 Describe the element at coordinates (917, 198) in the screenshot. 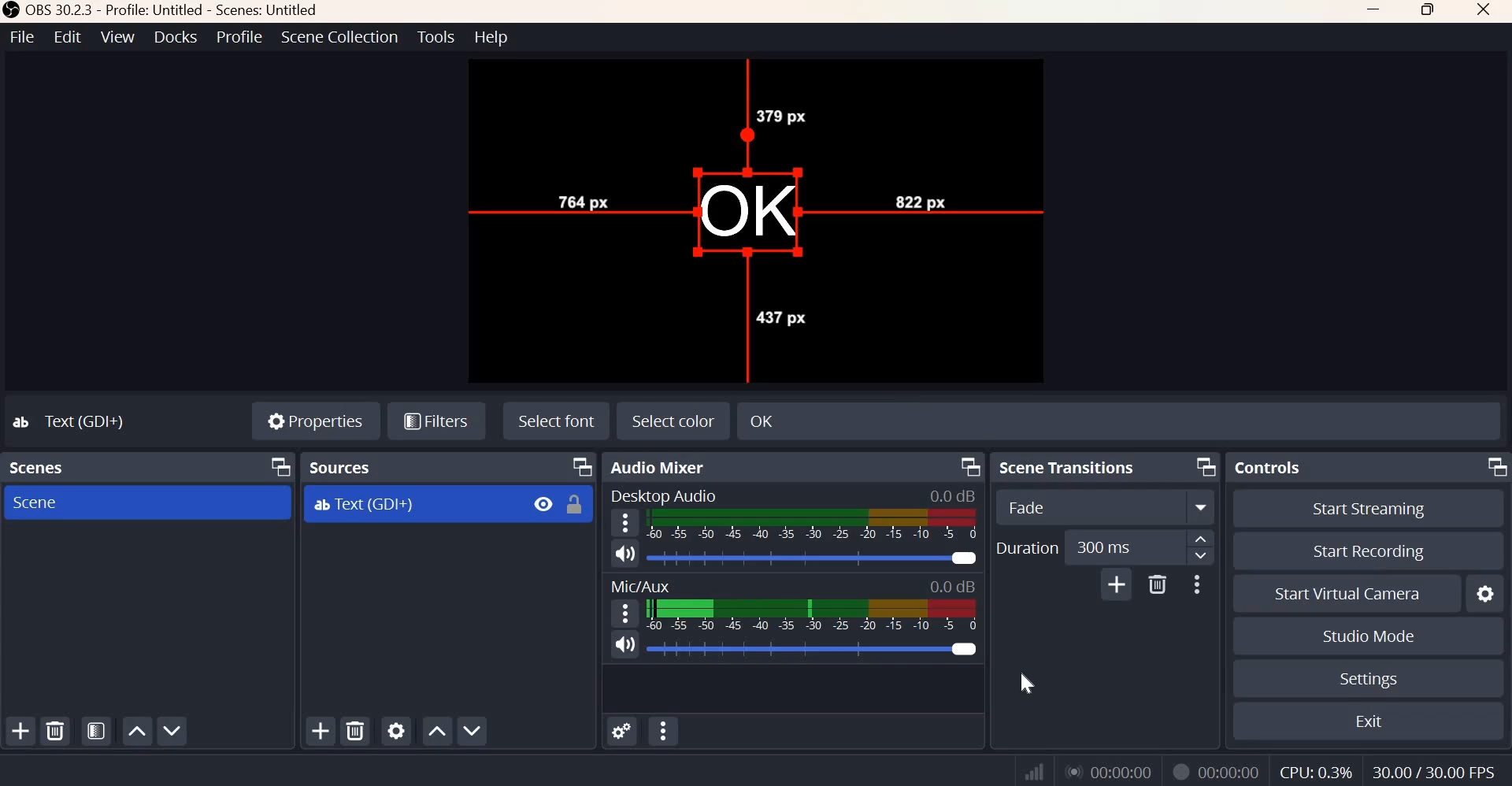

I see `822 px` at that location.